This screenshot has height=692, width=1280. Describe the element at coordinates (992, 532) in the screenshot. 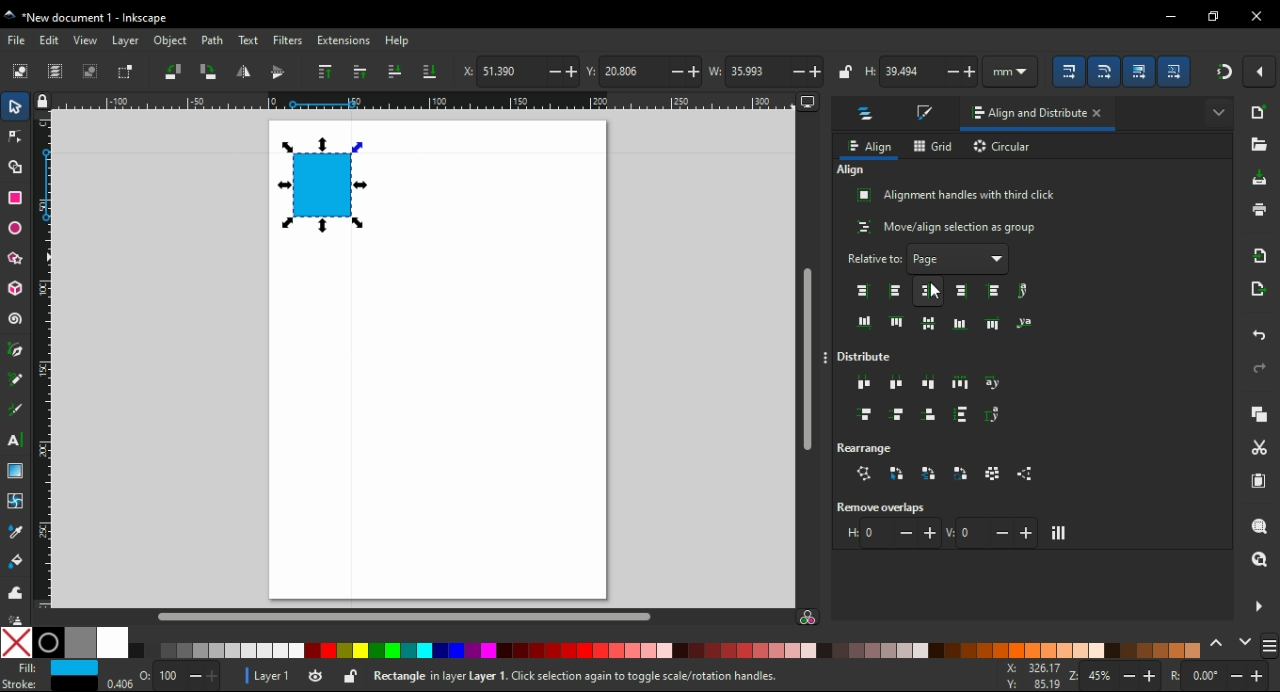

I see `minimum vertical gap between bounding box` at that location.